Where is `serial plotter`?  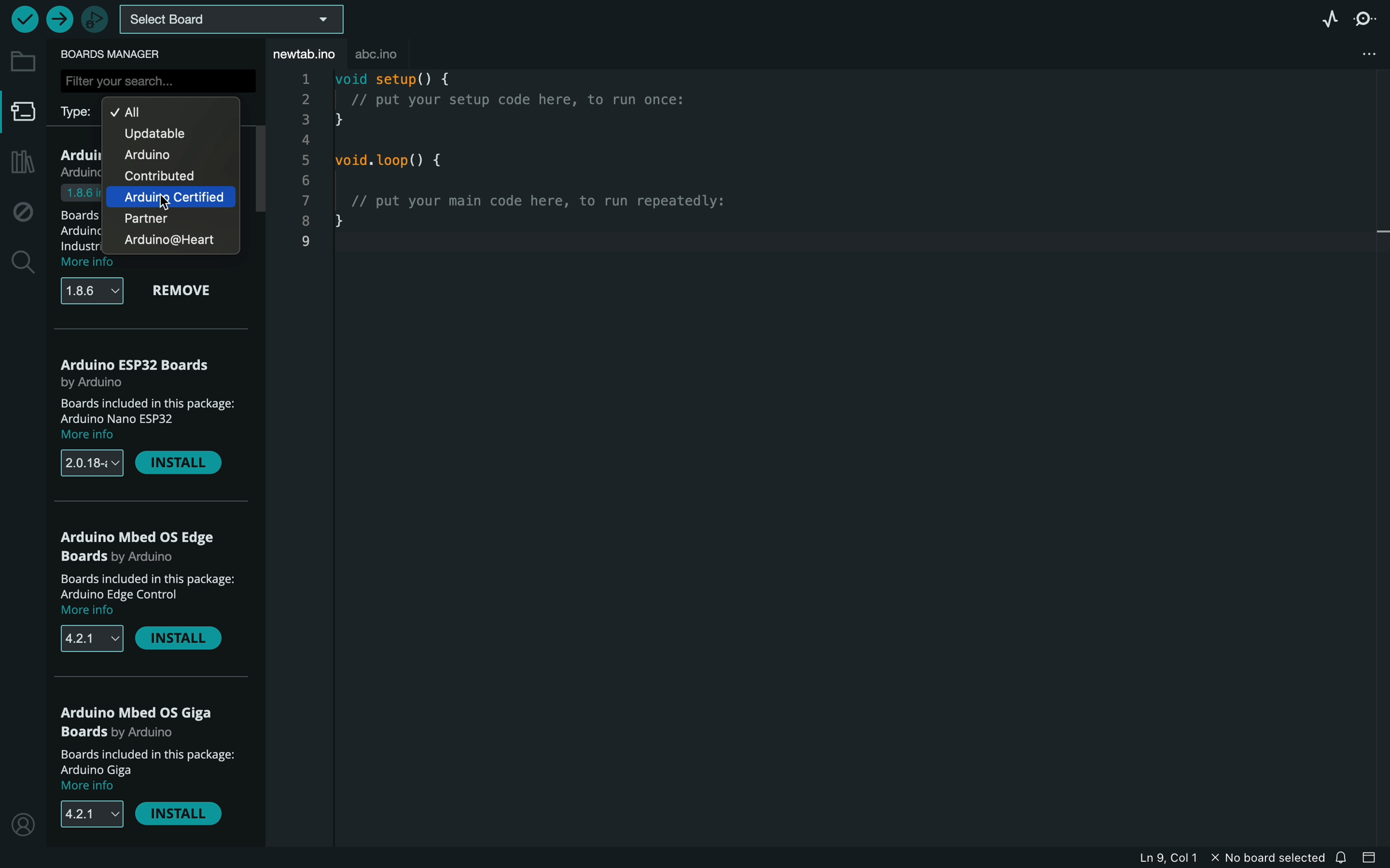 serial plotter is located at coordinates (1328, 20).